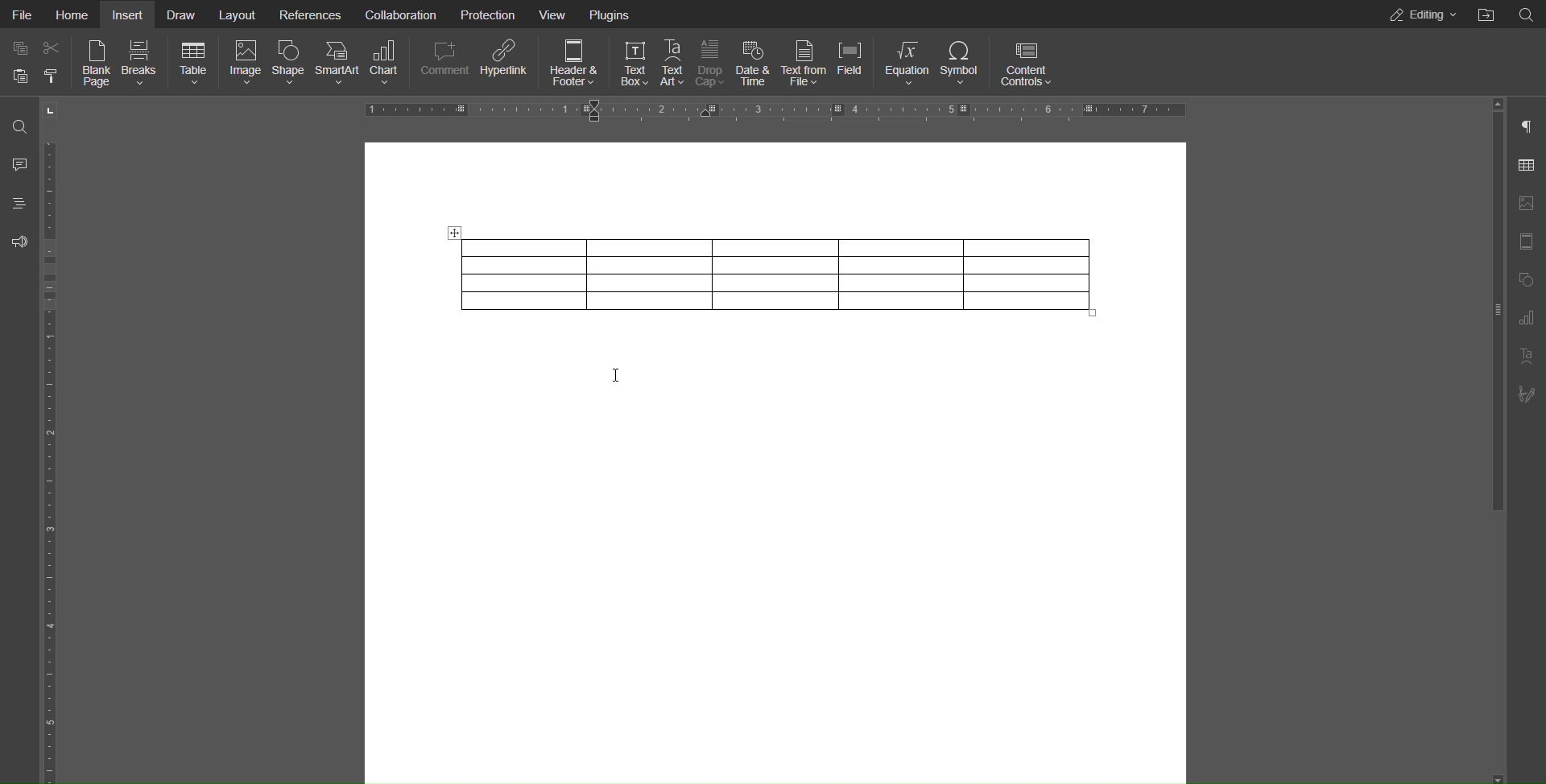 The width and height of the screenshot is (1546, 784). I want to click on Date & Time, so click(754, 64).